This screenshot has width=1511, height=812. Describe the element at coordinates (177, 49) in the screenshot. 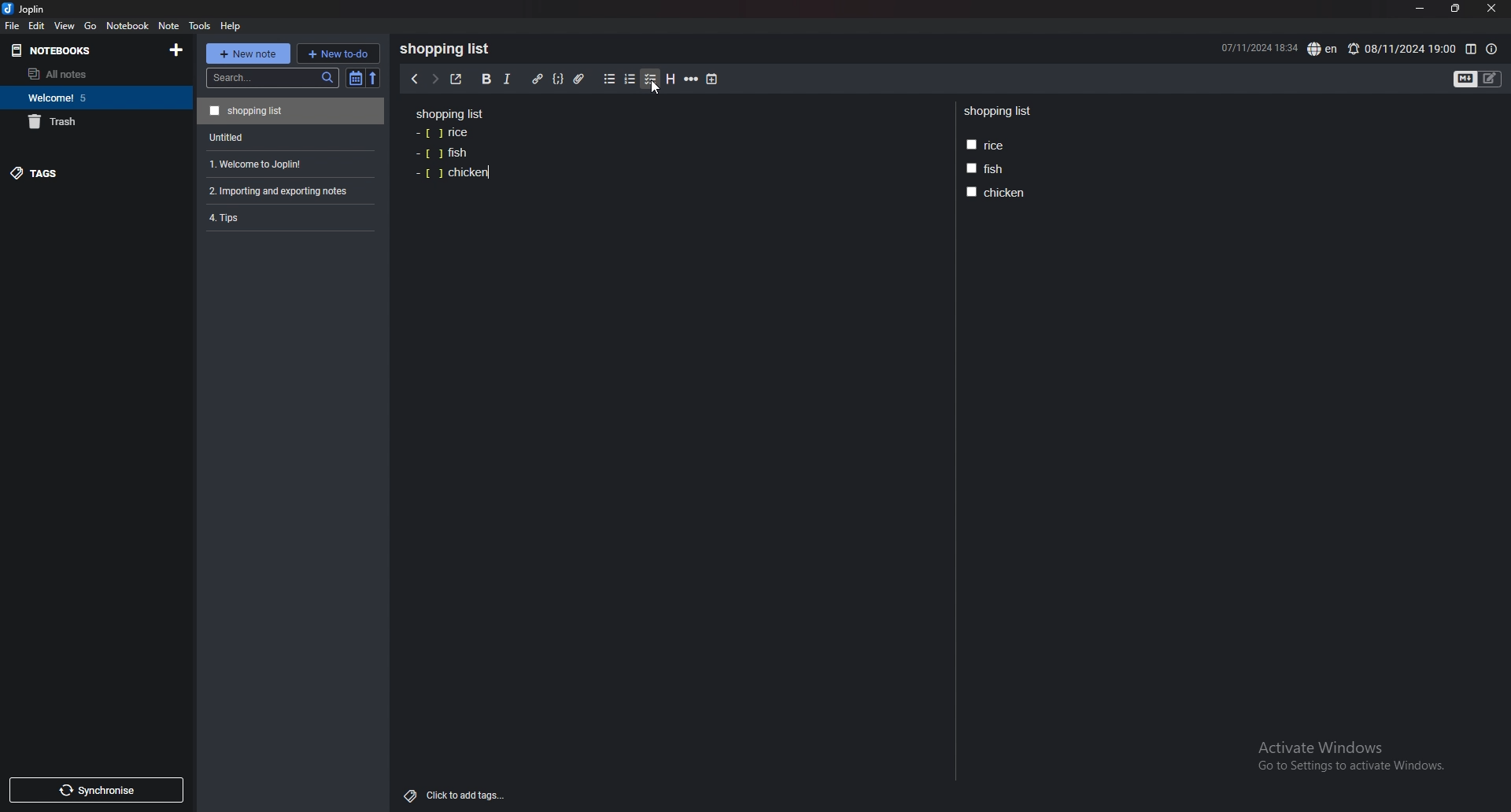

I see `add notebooks` at that location.